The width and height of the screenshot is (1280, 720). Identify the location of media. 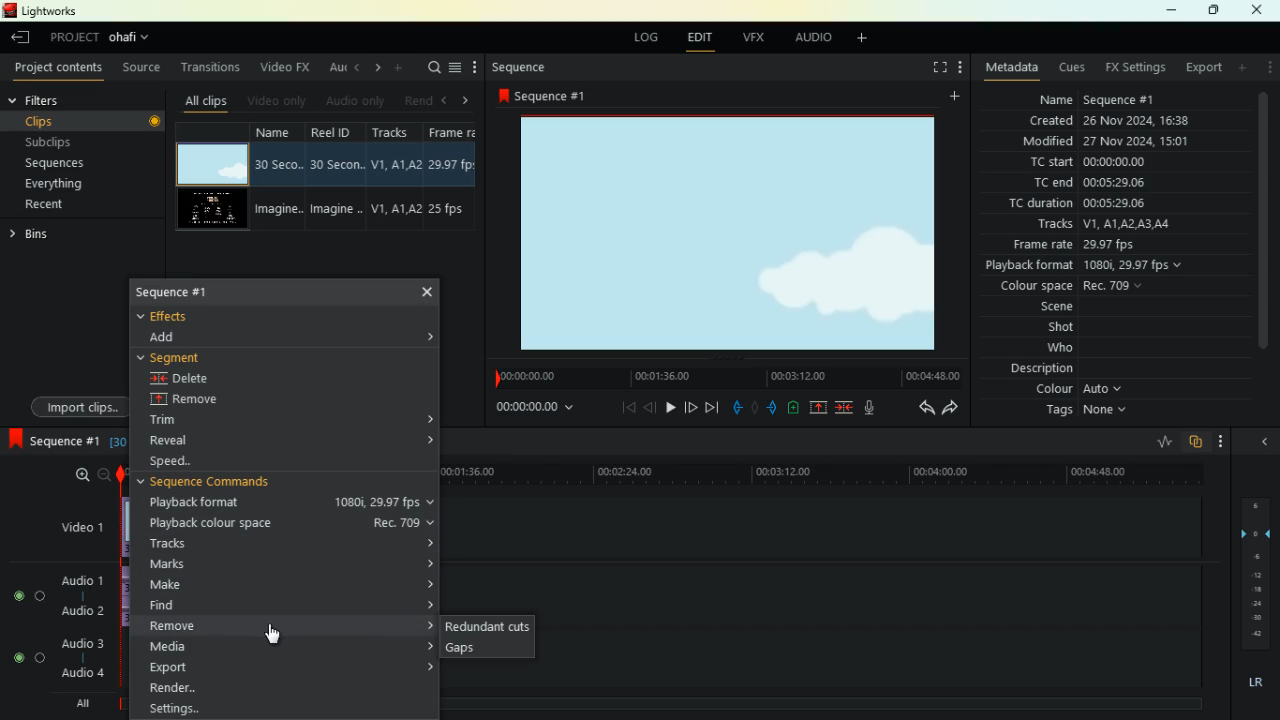
(287, 648).